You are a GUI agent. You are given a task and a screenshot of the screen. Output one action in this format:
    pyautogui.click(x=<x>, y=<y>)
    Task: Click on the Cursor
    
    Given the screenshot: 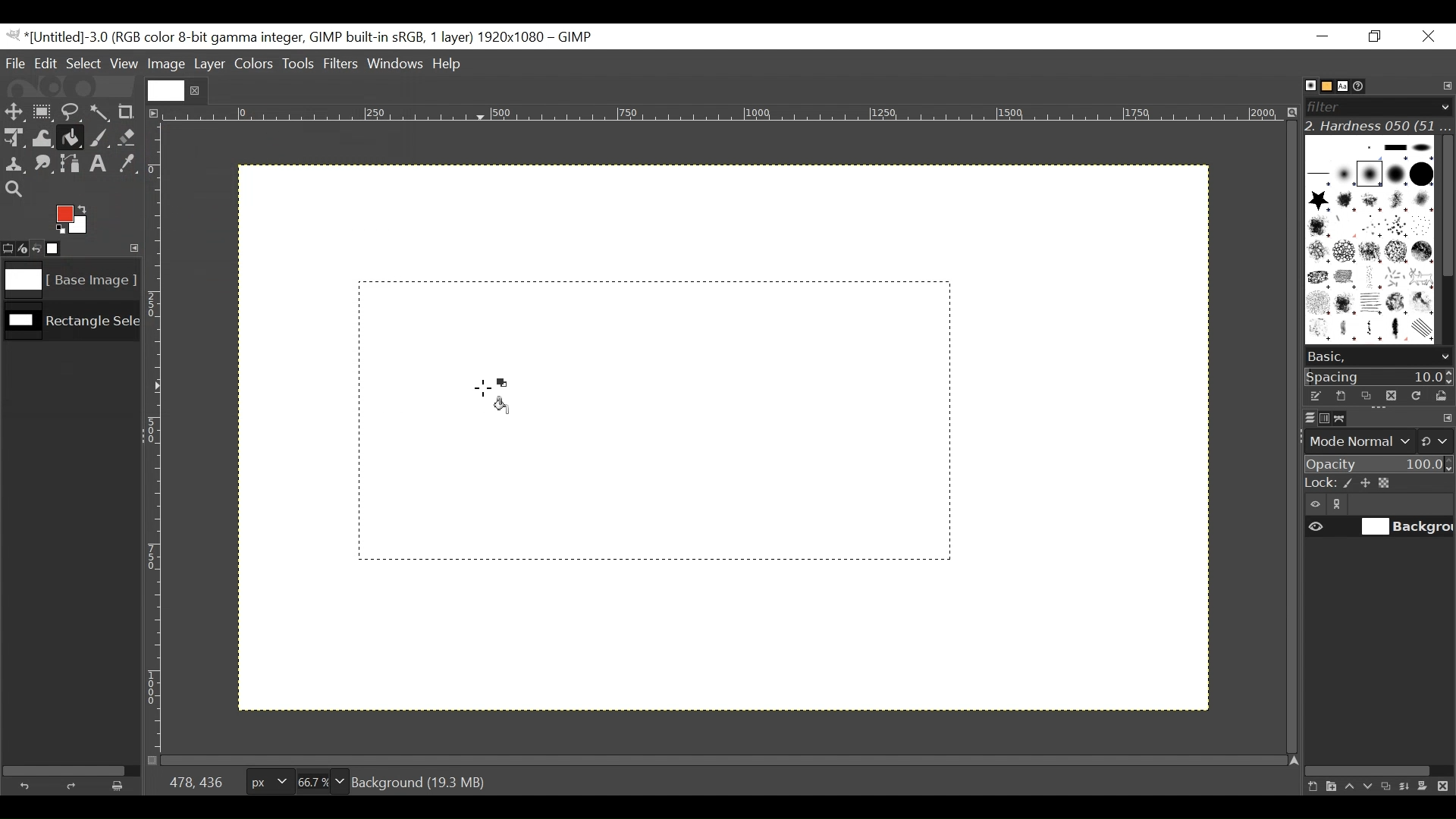 What is the action you would take?
    pyautogui.click(x=481, y=388)
    